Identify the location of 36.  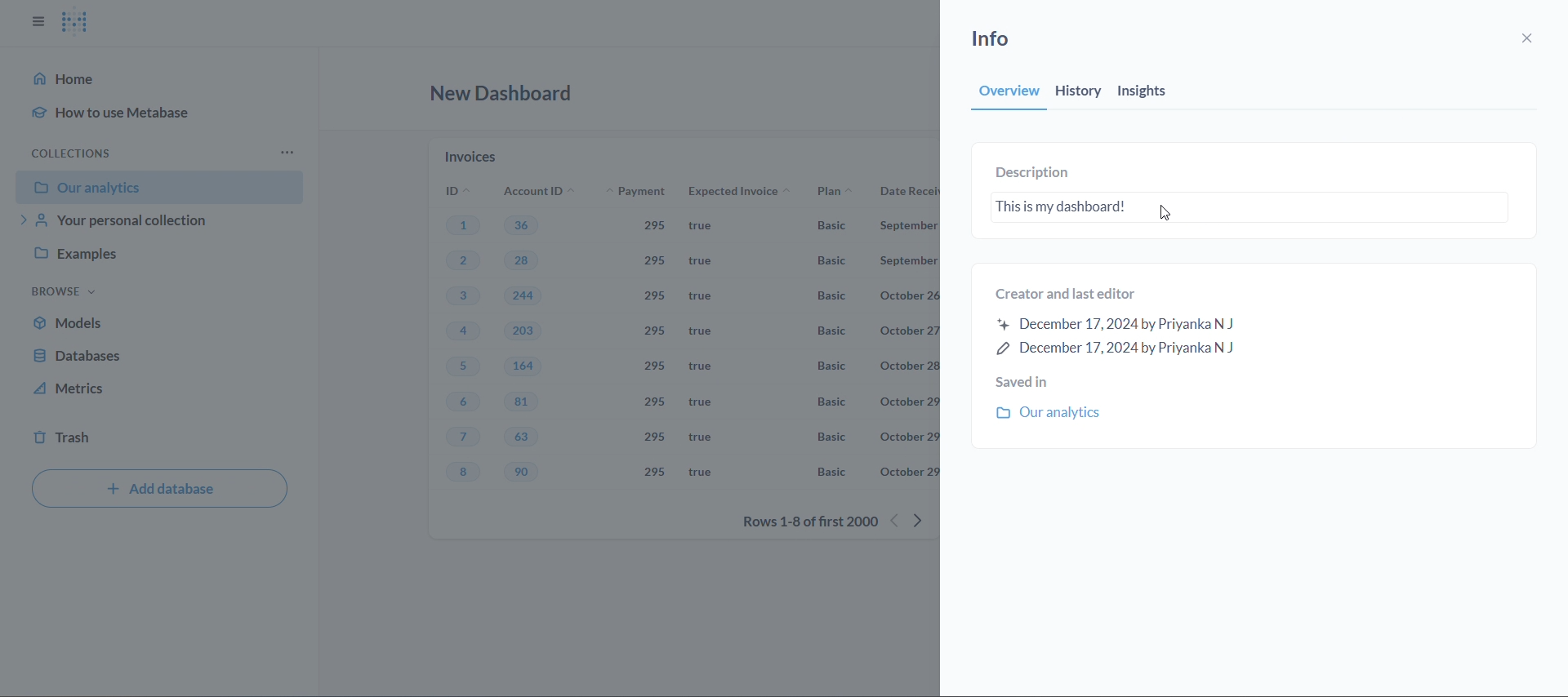
(522, 224).